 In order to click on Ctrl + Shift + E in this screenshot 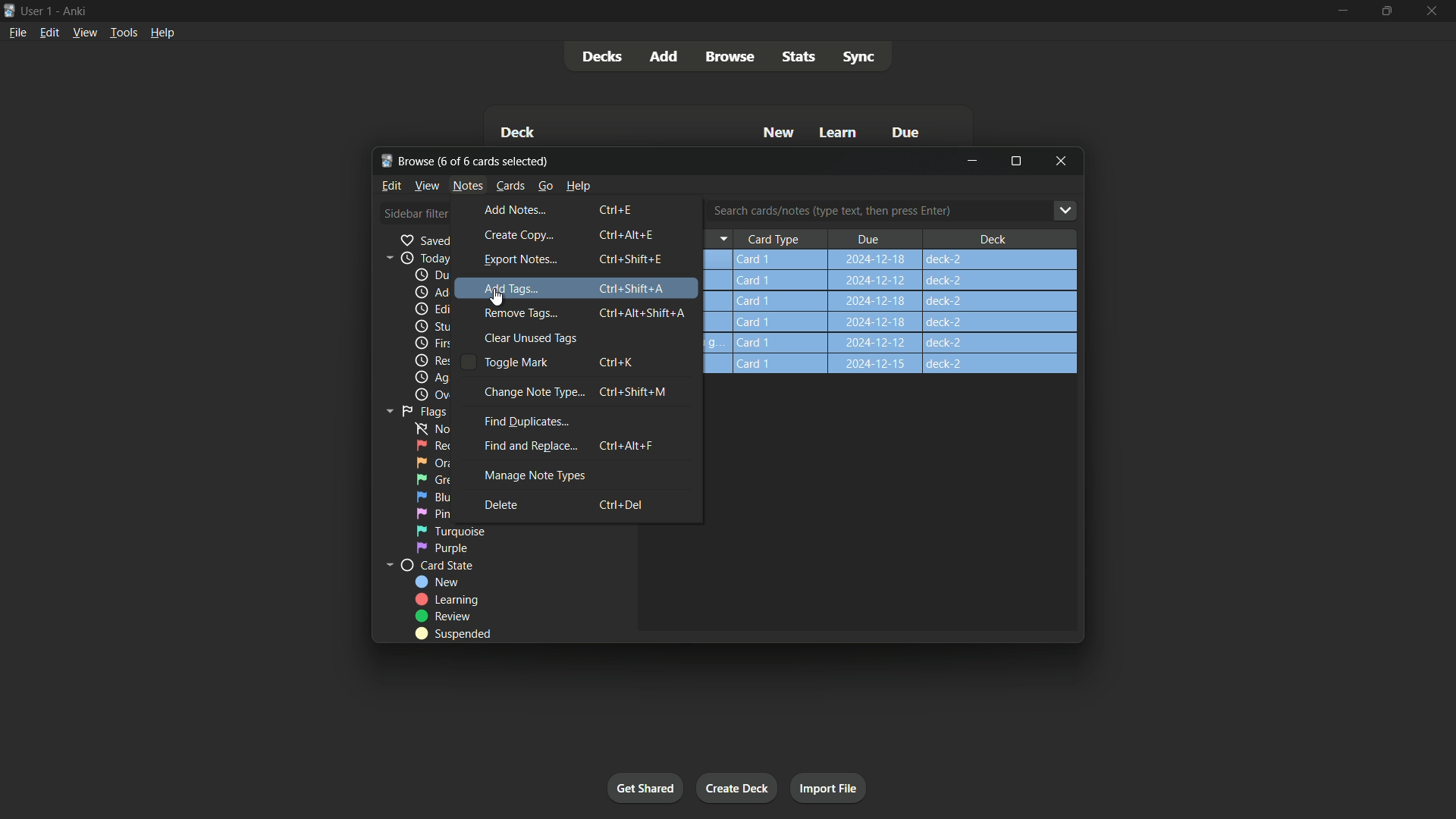, I will do `click(627, 257)`.